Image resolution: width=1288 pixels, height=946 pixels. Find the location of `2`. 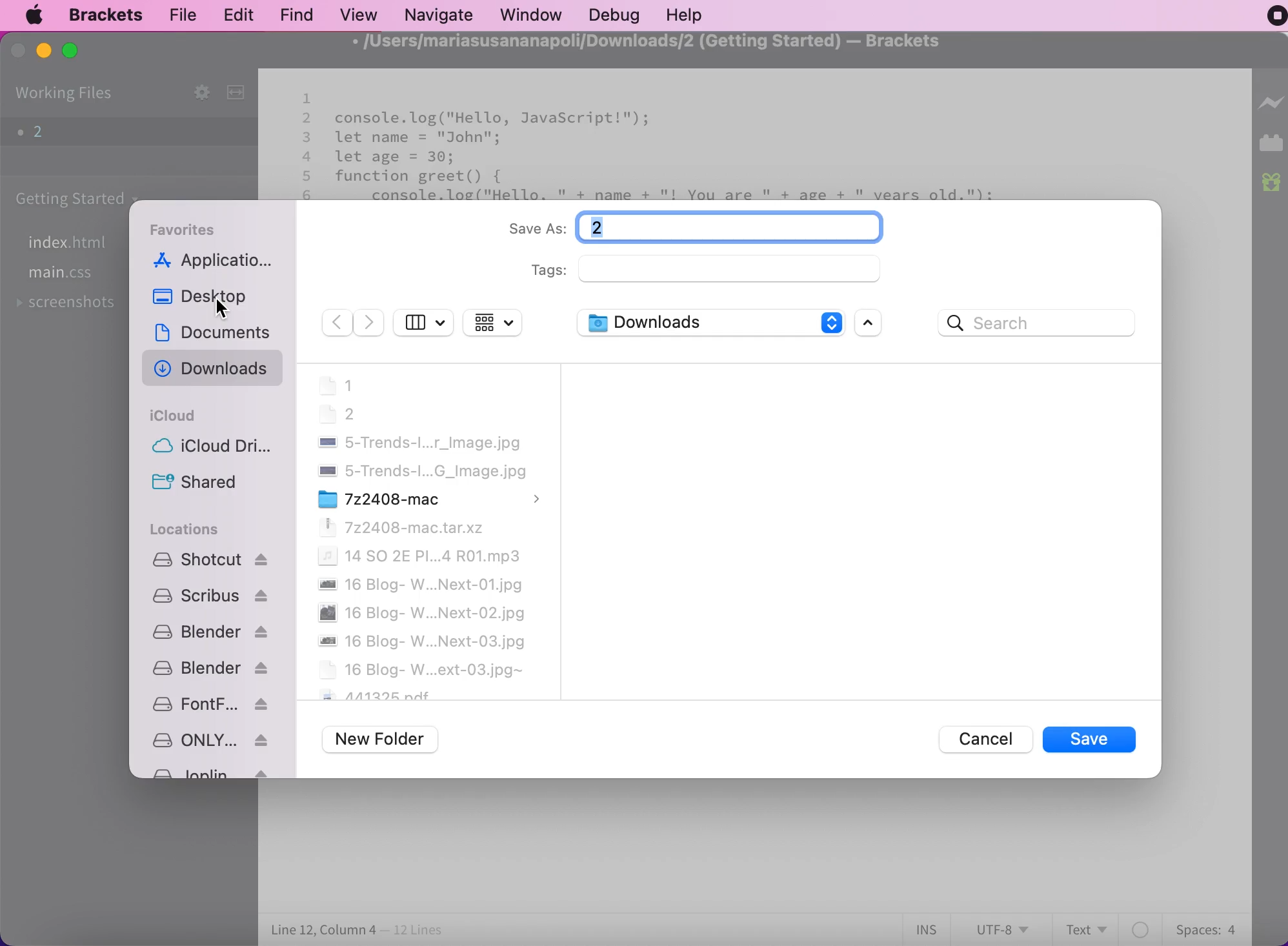

2 is located at coordinates (308, 118).